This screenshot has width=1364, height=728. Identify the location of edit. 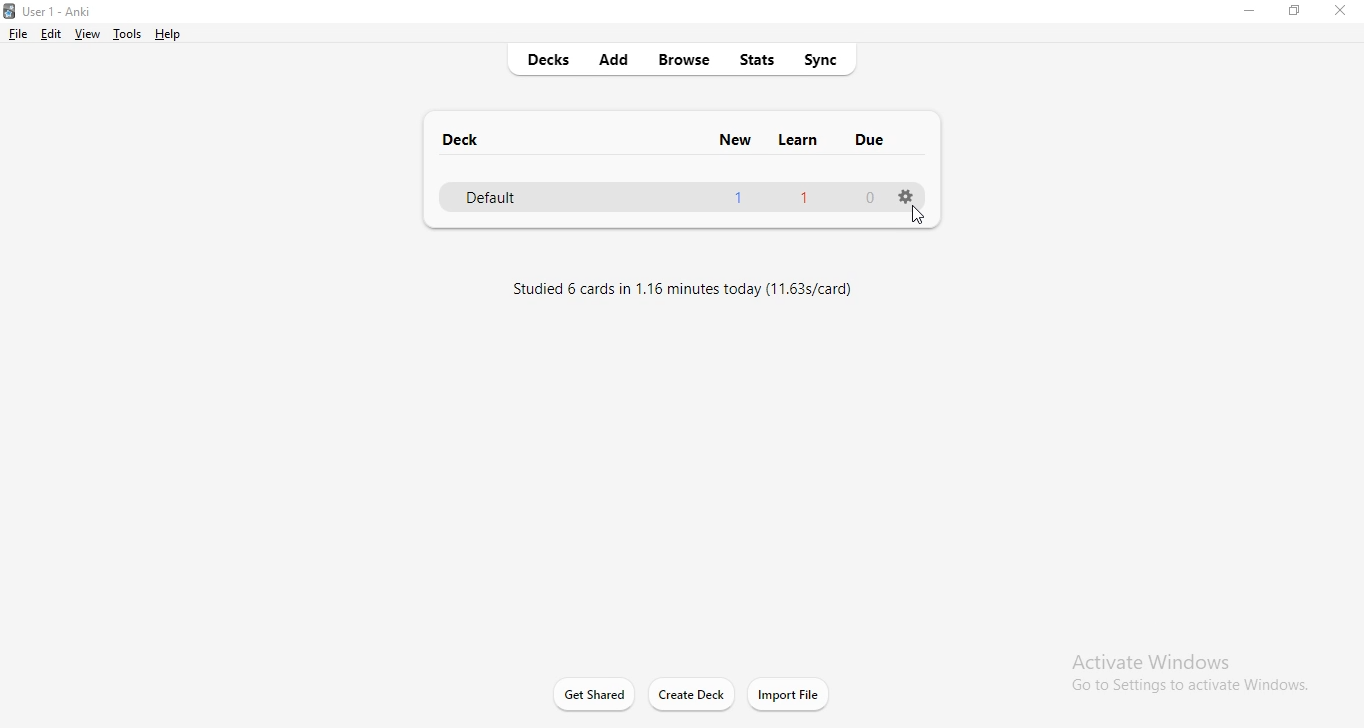
(49, 33).